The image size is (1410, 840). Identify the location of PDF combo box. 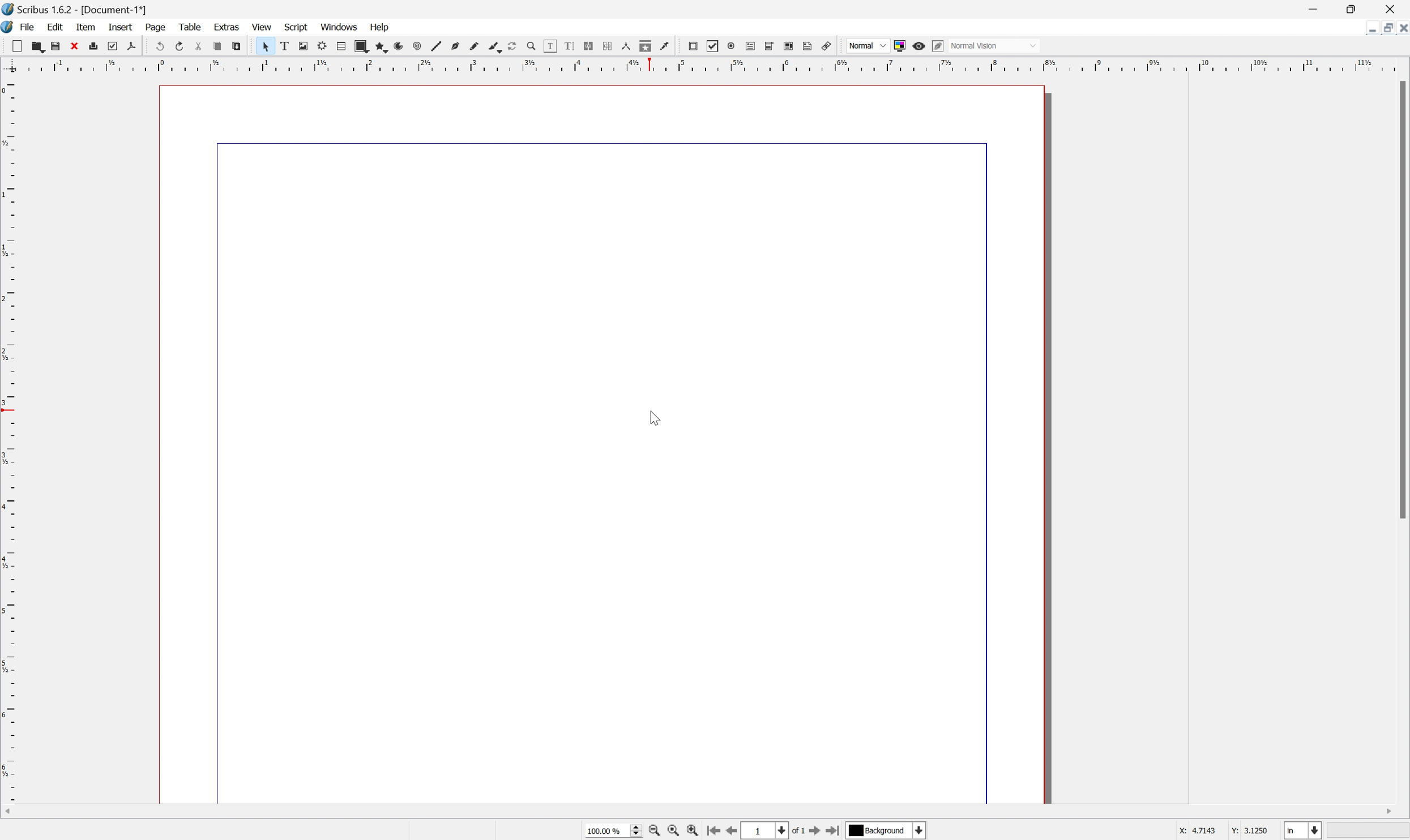
(768, 46).